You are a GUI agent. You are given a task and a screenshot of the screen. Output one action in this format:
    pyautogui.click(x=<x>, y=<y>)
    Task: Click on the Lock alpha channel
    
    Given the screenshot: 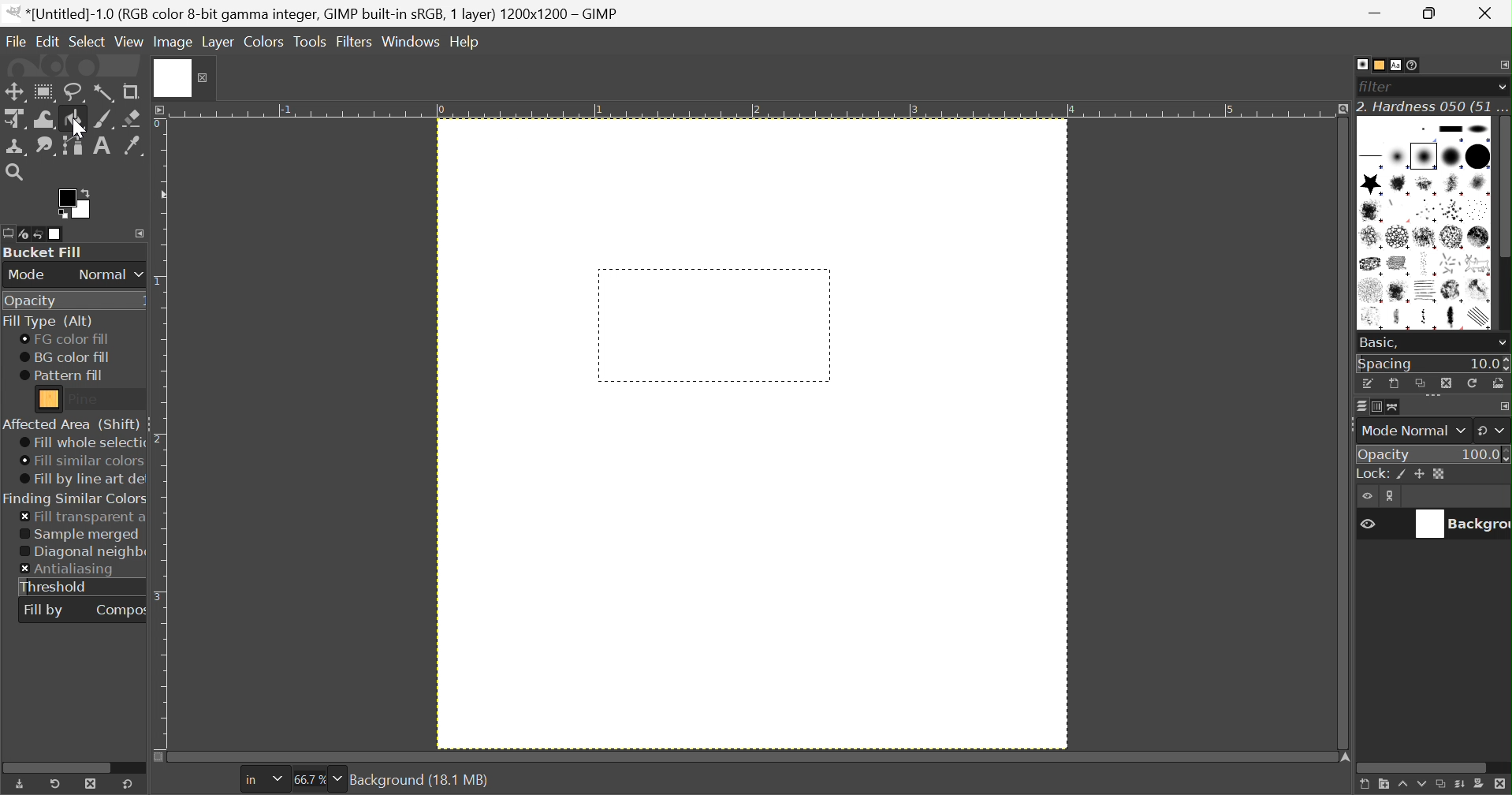 What is the action you would take?
    pyautogui.click(x=1439, y=474)
    